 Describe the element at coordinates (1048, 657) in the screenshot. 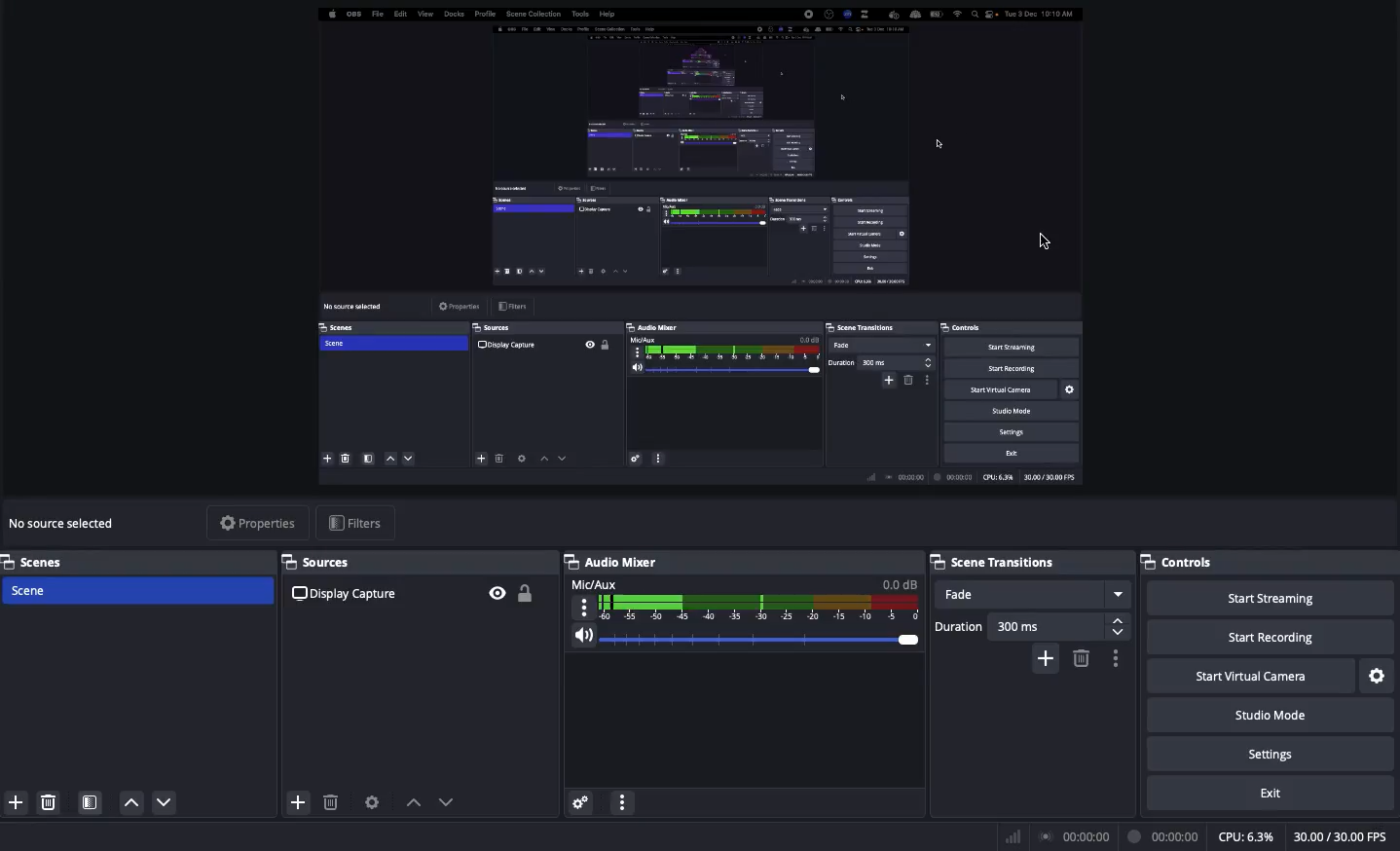

I see `Add` at that location.